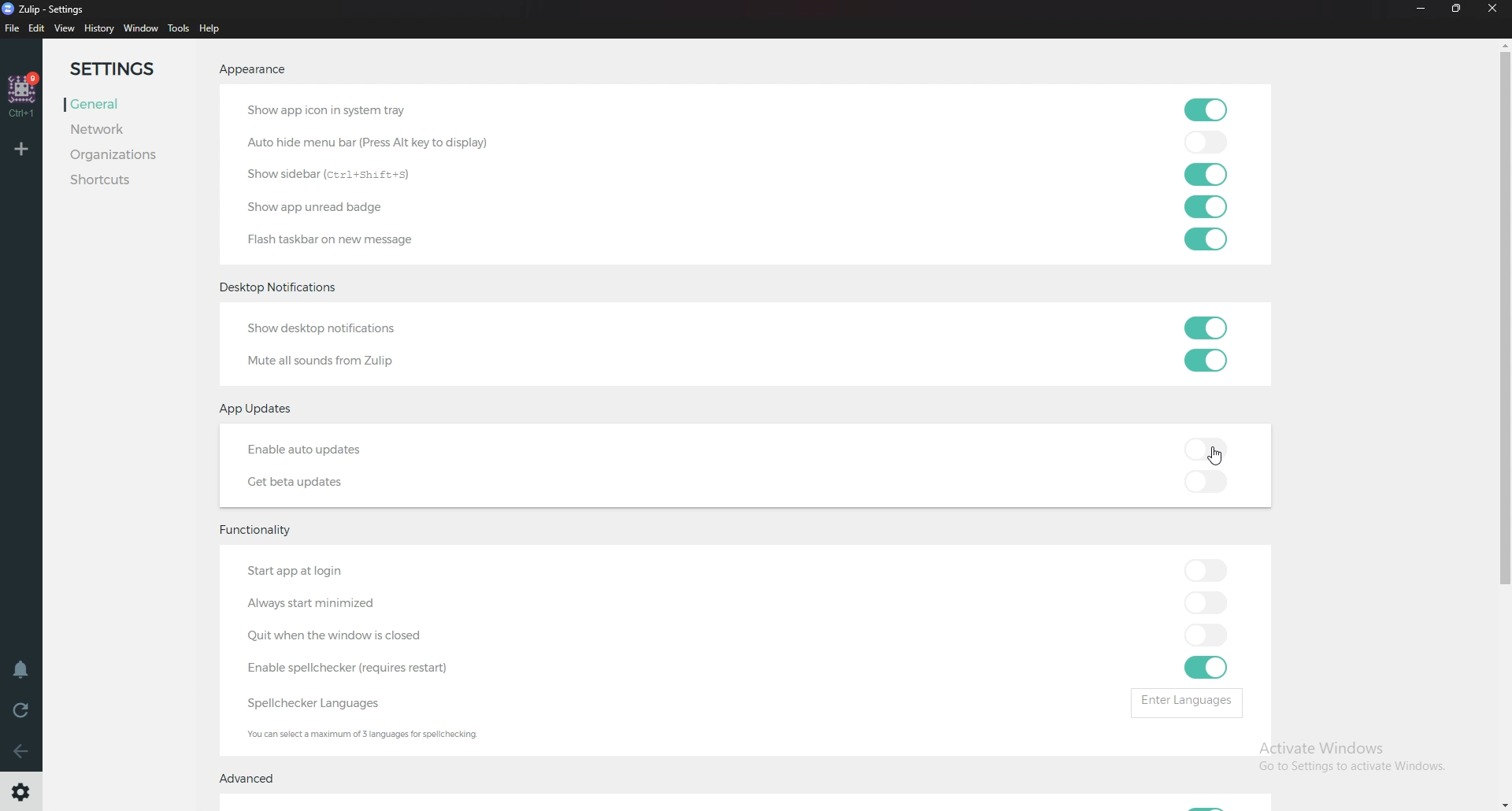 This screenshot has width=1512, height=811. Describe the element at coordinates (118, 103) in the screenshot. I see `general` at that location.